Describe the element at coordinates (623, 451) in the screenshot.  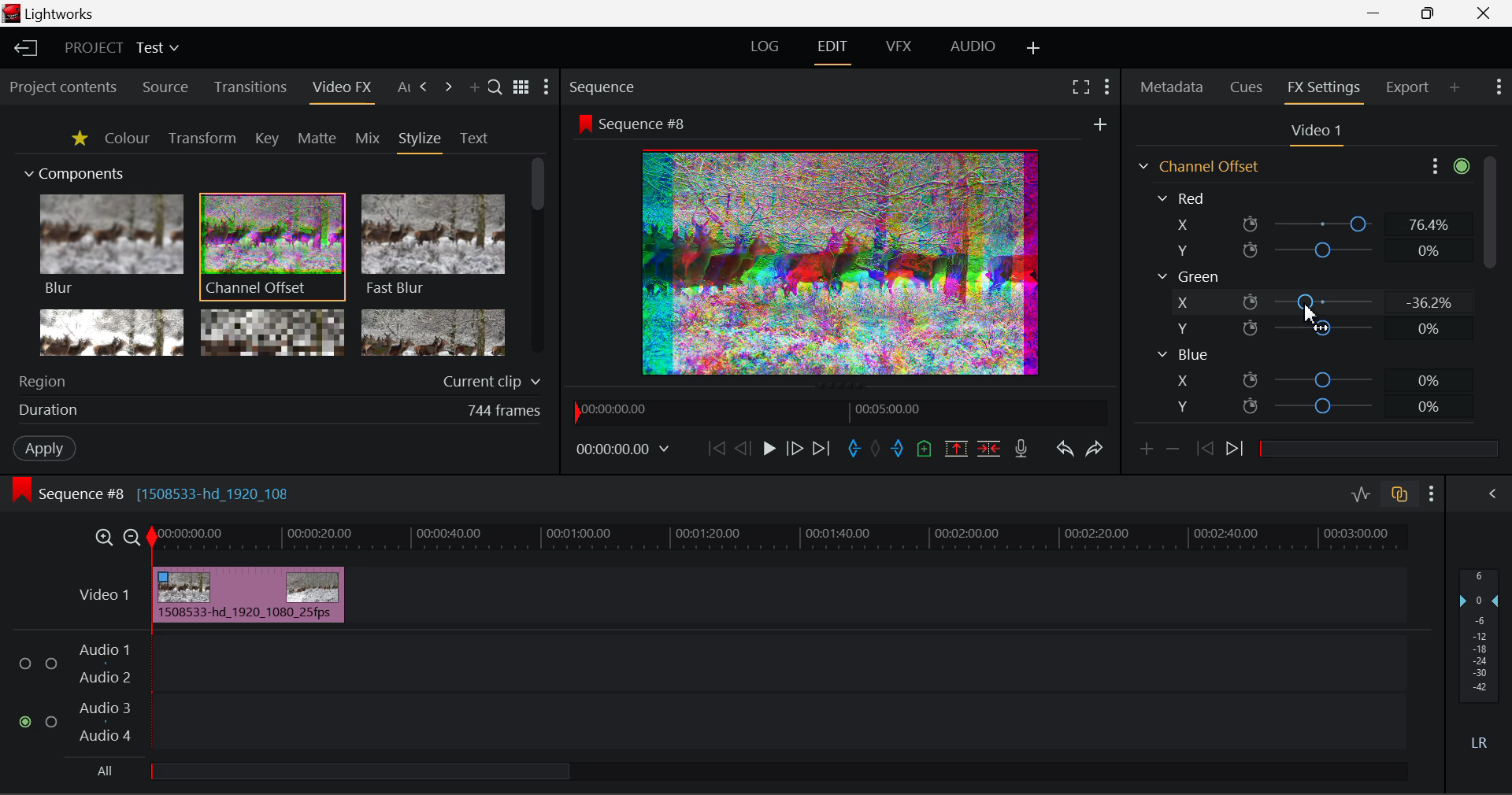
I see `Frame Time` at that location.